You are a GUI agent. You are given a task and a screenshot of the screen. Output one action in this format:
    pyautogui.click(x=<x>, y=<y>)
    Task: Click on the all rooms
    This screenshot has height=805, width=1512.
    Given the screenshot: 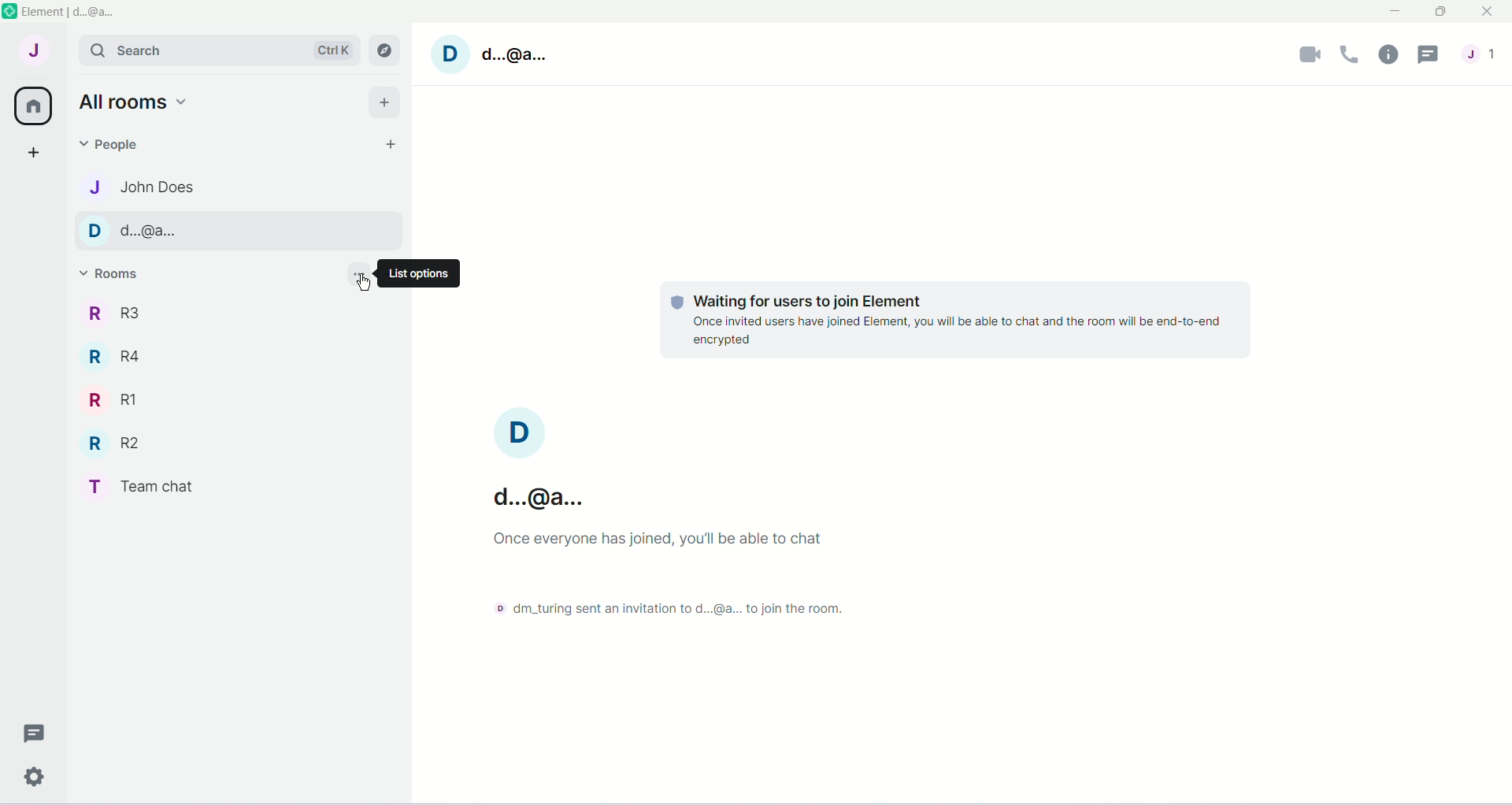 What is the action you would take?
    pyautogui.click(x=135, y=101)
    